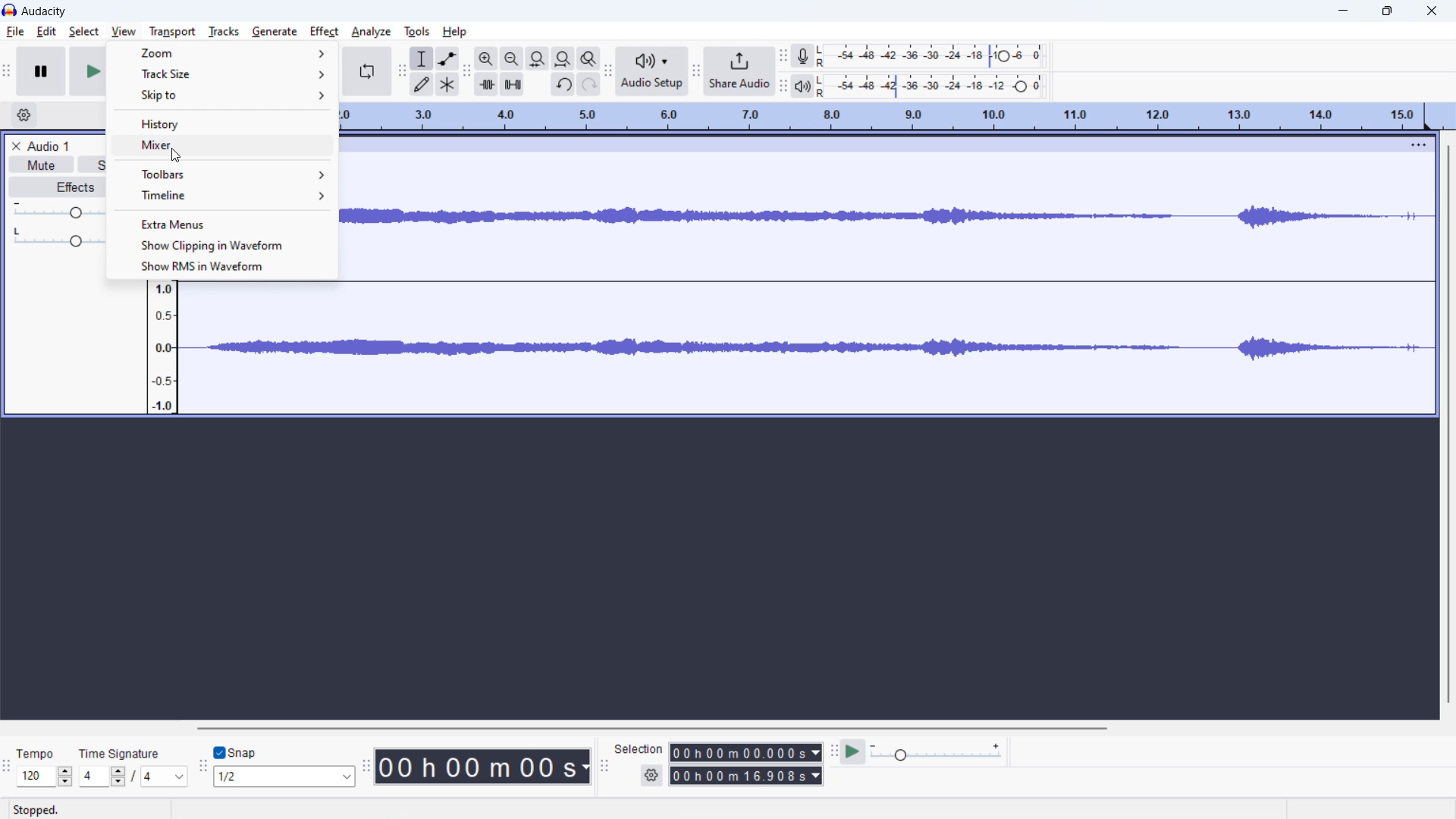 This screenshot has width=1456, height=819. What do you see at coordinates (770, 352) in the screenshot?
I see `waveform` at bounding box center [770, 352].